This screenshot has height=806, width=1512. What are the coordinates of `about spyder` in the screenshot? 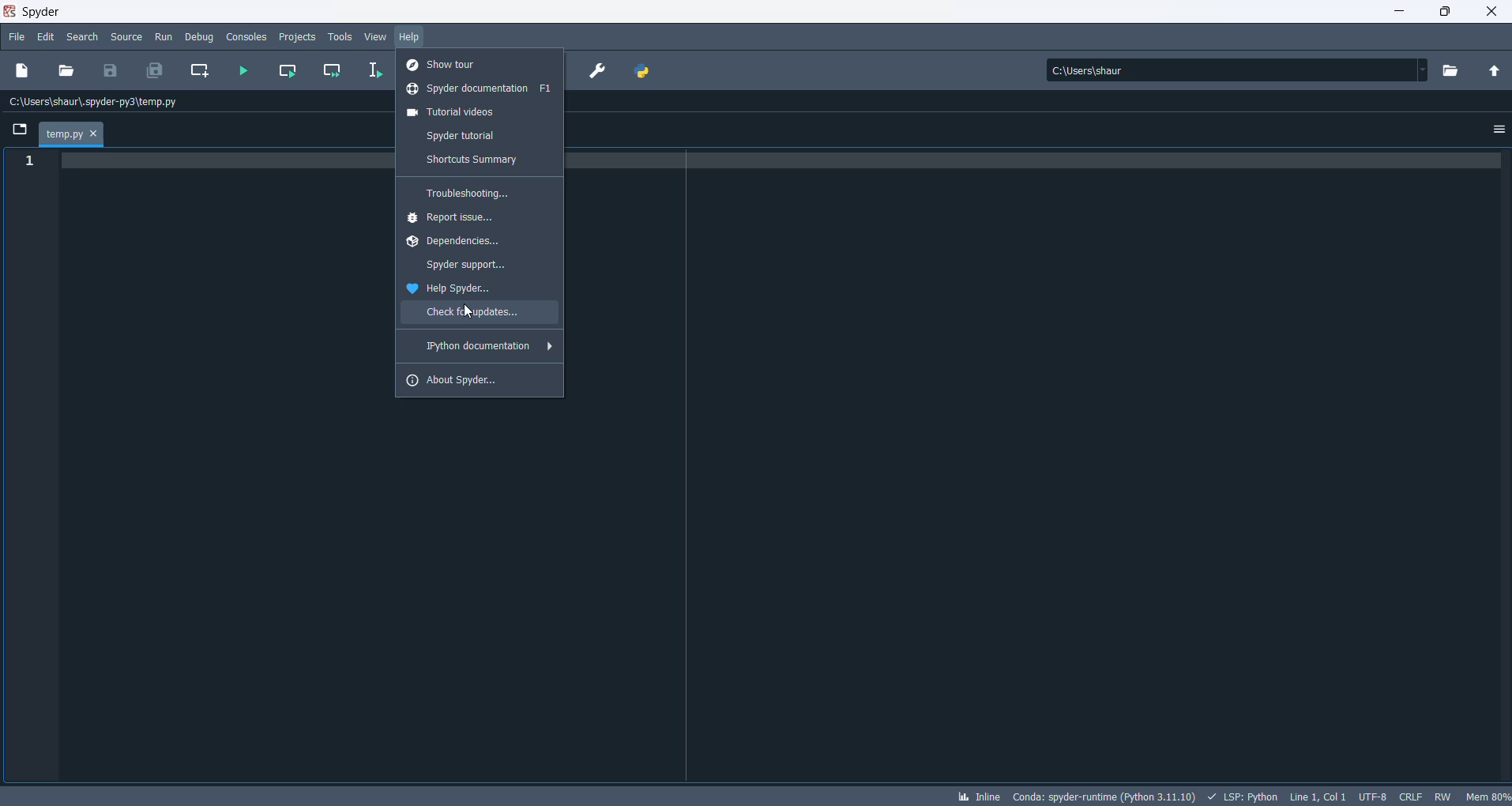 It's located at (479, 379).